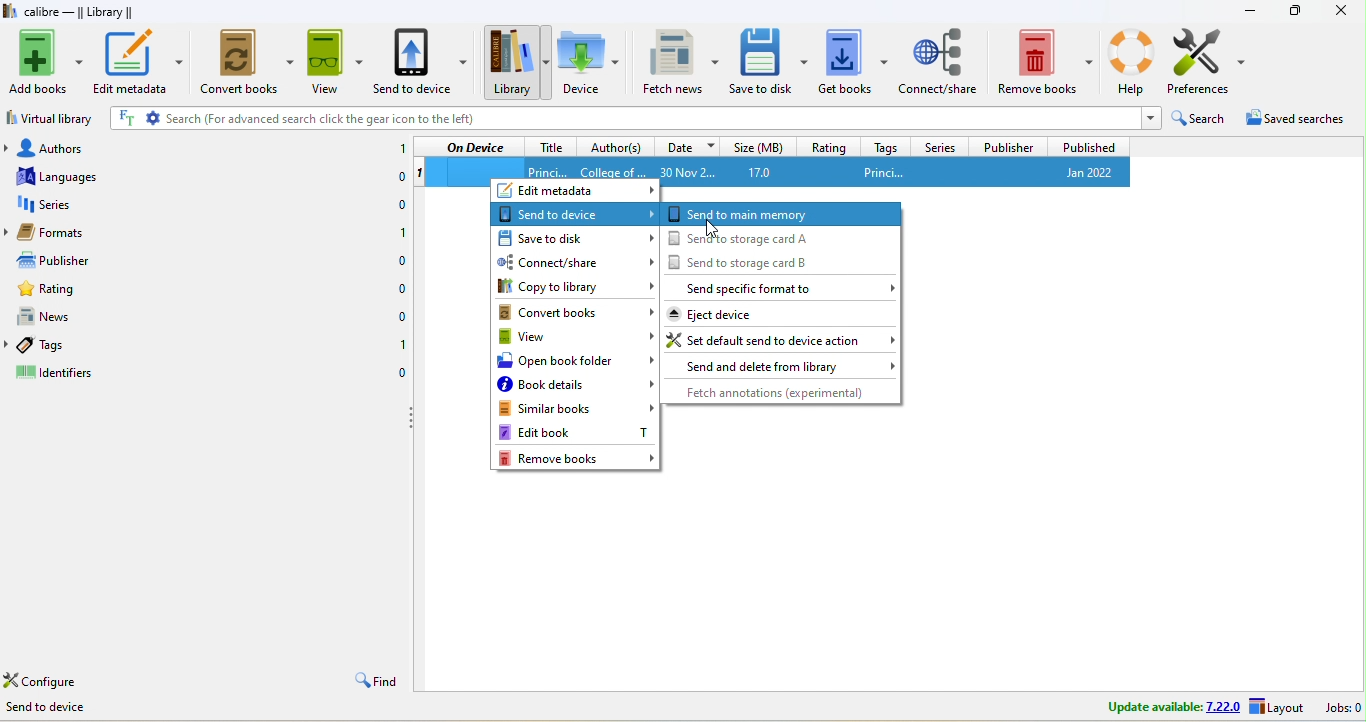 The width and height of the screenshot is (1366, 722). Describe the element at coordinates (574, 337) in the screenshot. I see `view` at that location.